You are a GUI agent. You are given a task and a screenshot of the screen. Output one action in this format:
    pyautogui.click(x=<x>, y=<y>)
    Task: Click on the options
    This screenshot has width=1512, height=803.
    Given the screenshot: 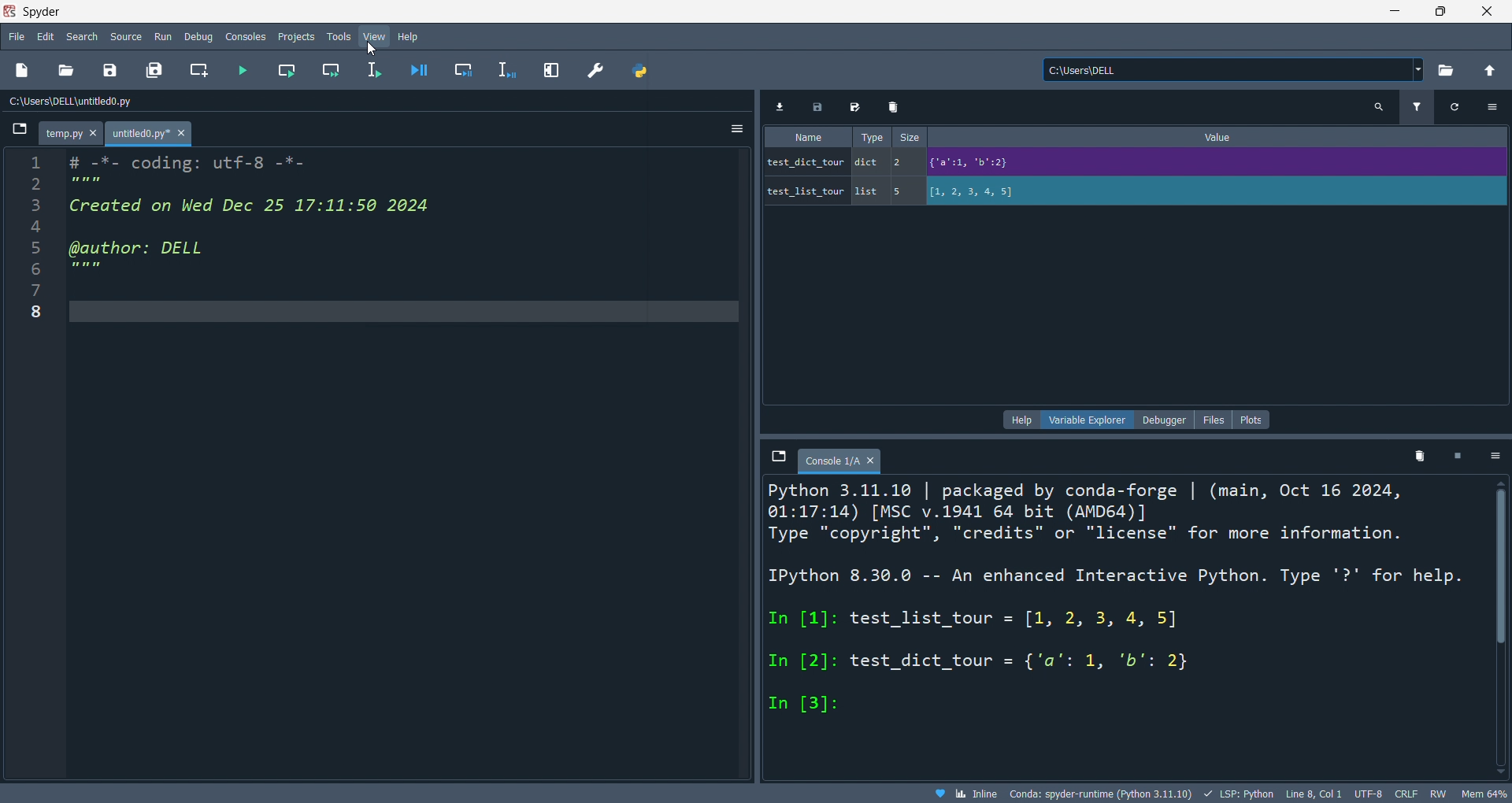 What is the action you would take?
    pyautogui.click(x=732, y=130)
    